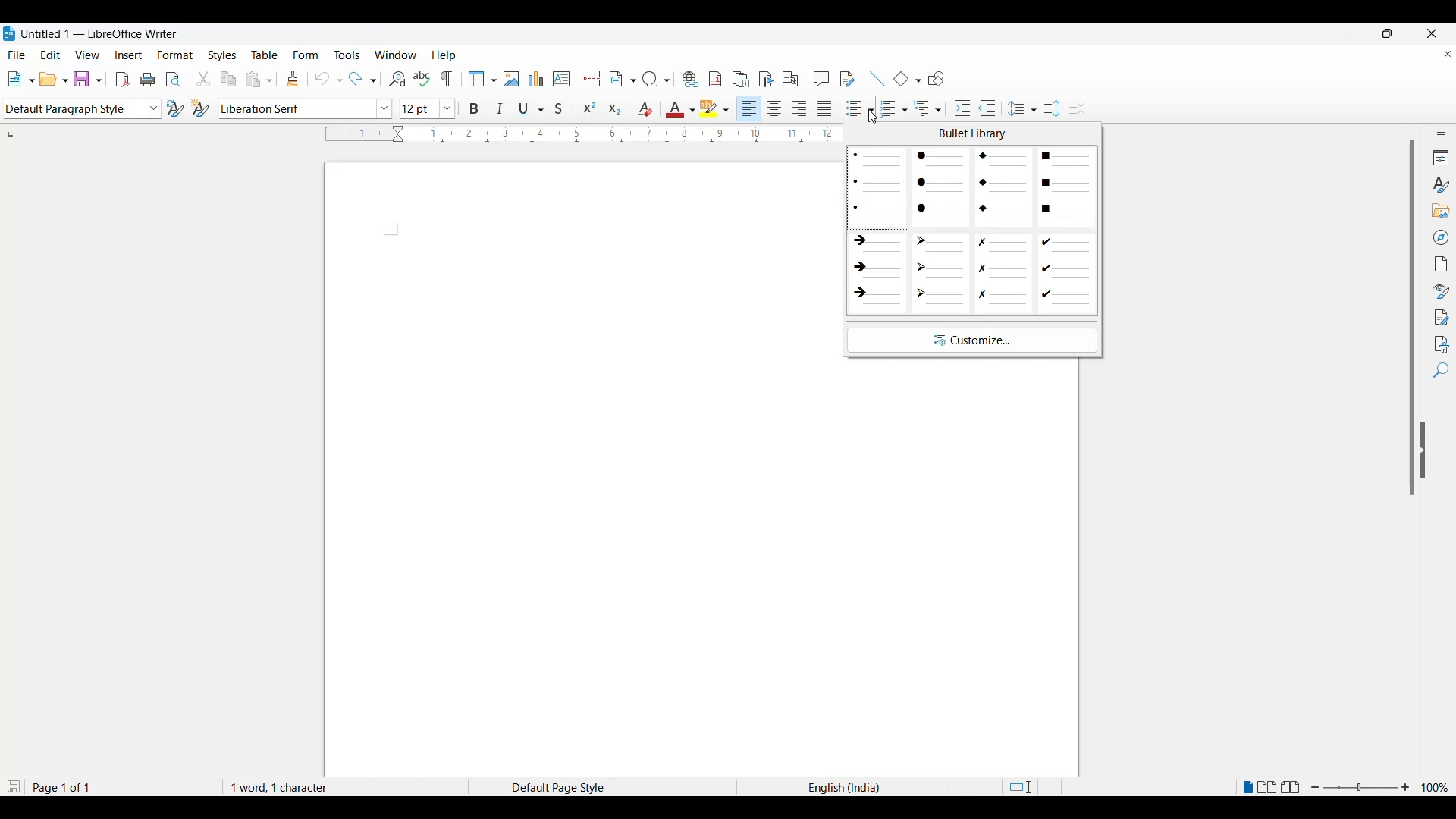 This screenshot has width=1456, height=819. What do you see at coordinates (1269, 787) in the screenshot?
I see `Multiple page view` at bounding box center [1269, 787].